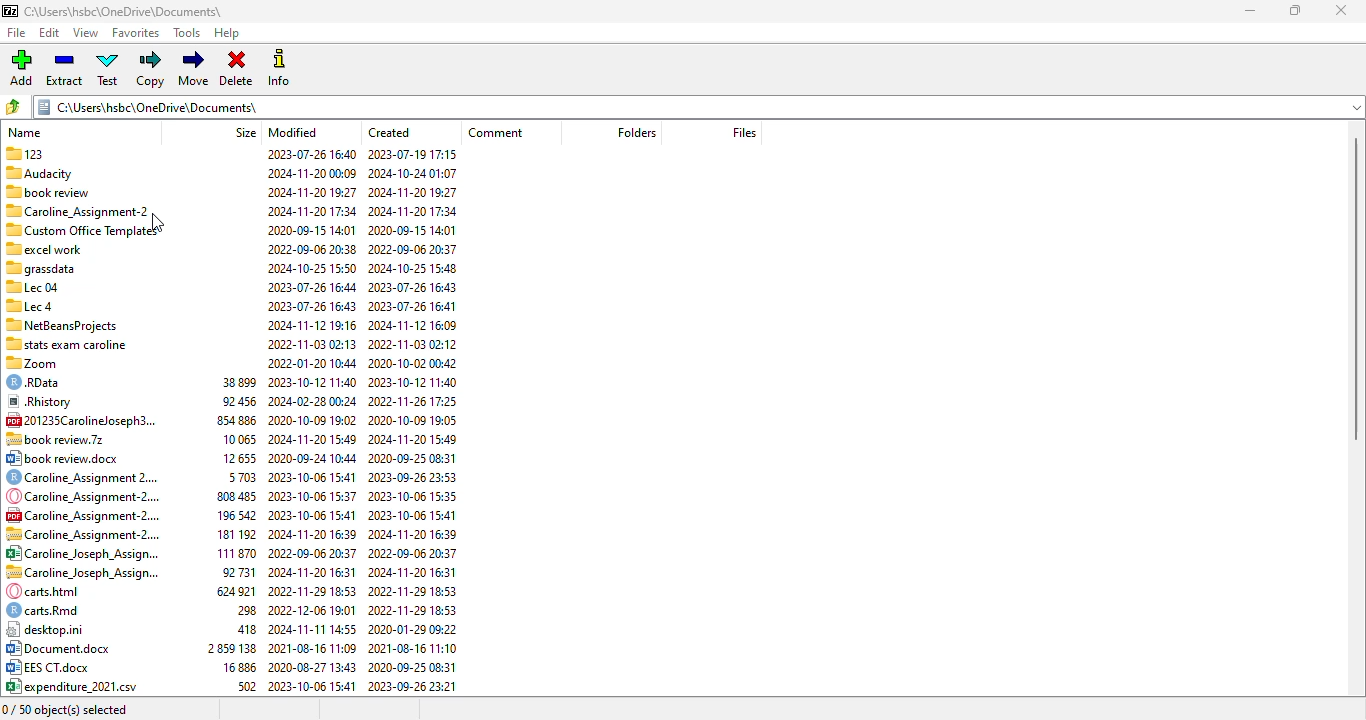 The width and height of the screenshot is (1366, 720). Describe the element at coordinates (416, 687) in the screenshot. I see `2023-09-26 23:21` at that location.